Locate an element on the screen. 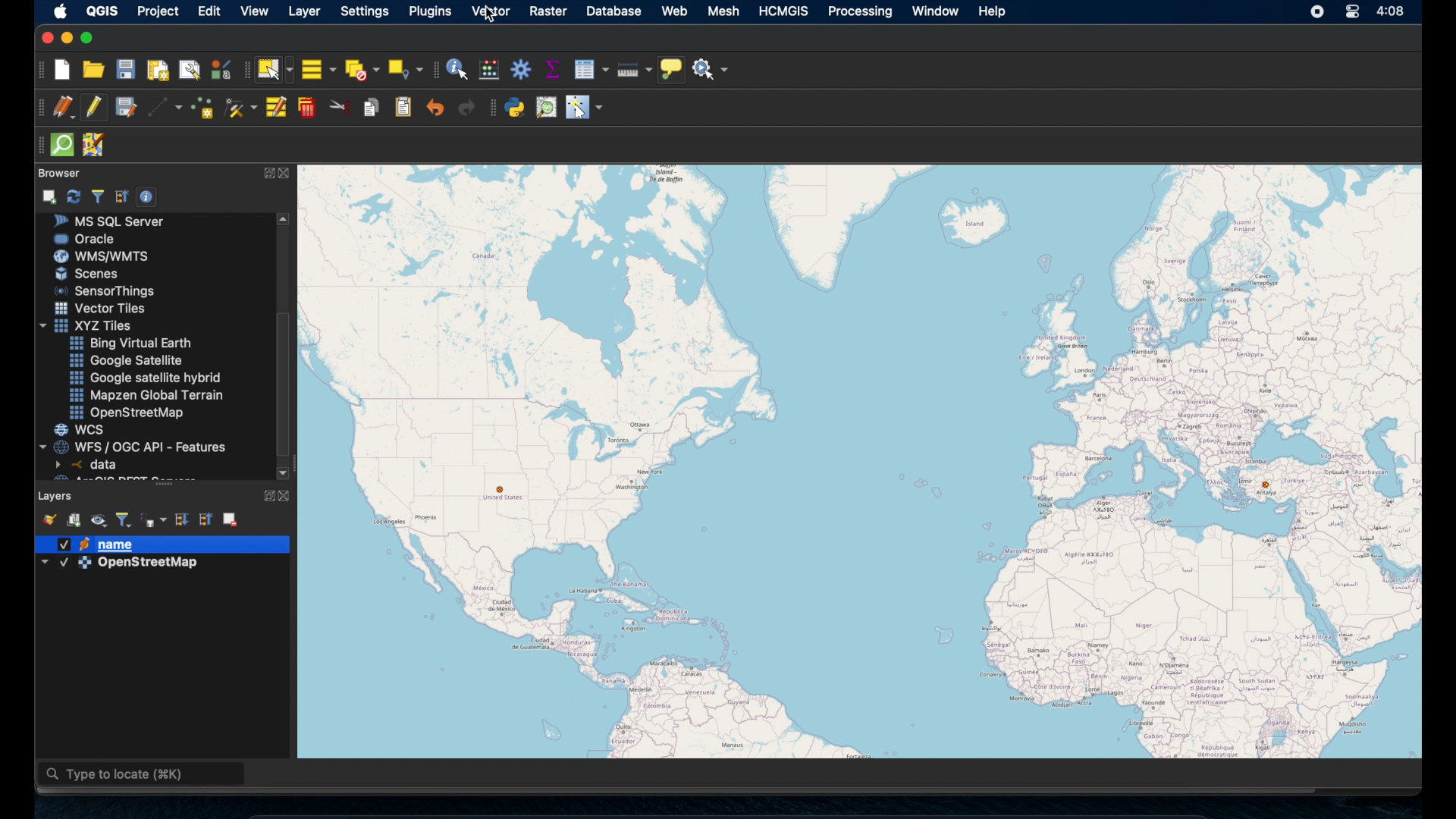 The image size is (1456, 819). browser is located at coordinates (57, 171).